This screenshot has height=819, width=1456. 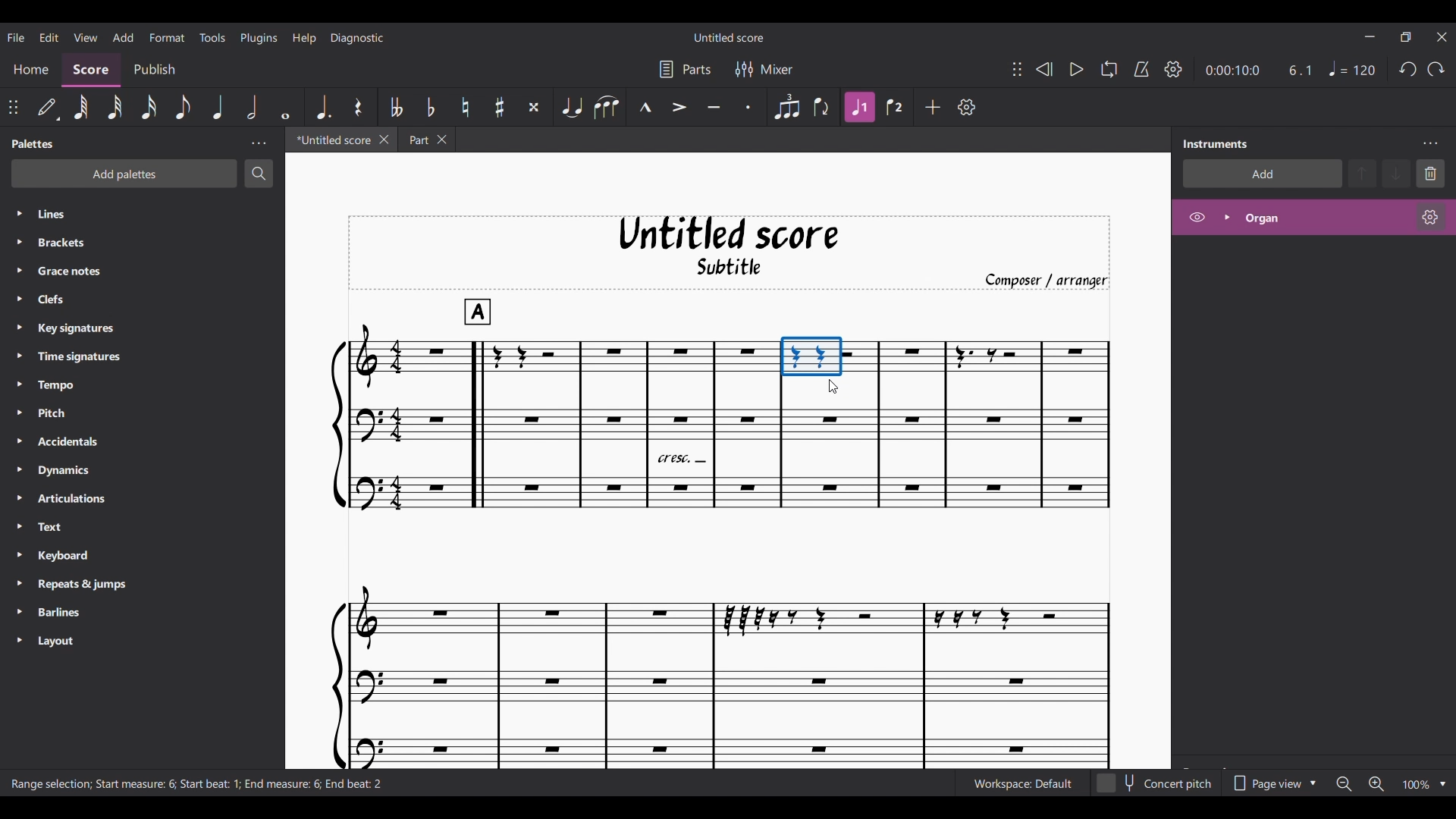 What do you see at coordinates (1173, 69) in the screenshot?
I see `Playback settings` at bounding box center [1173, 69].